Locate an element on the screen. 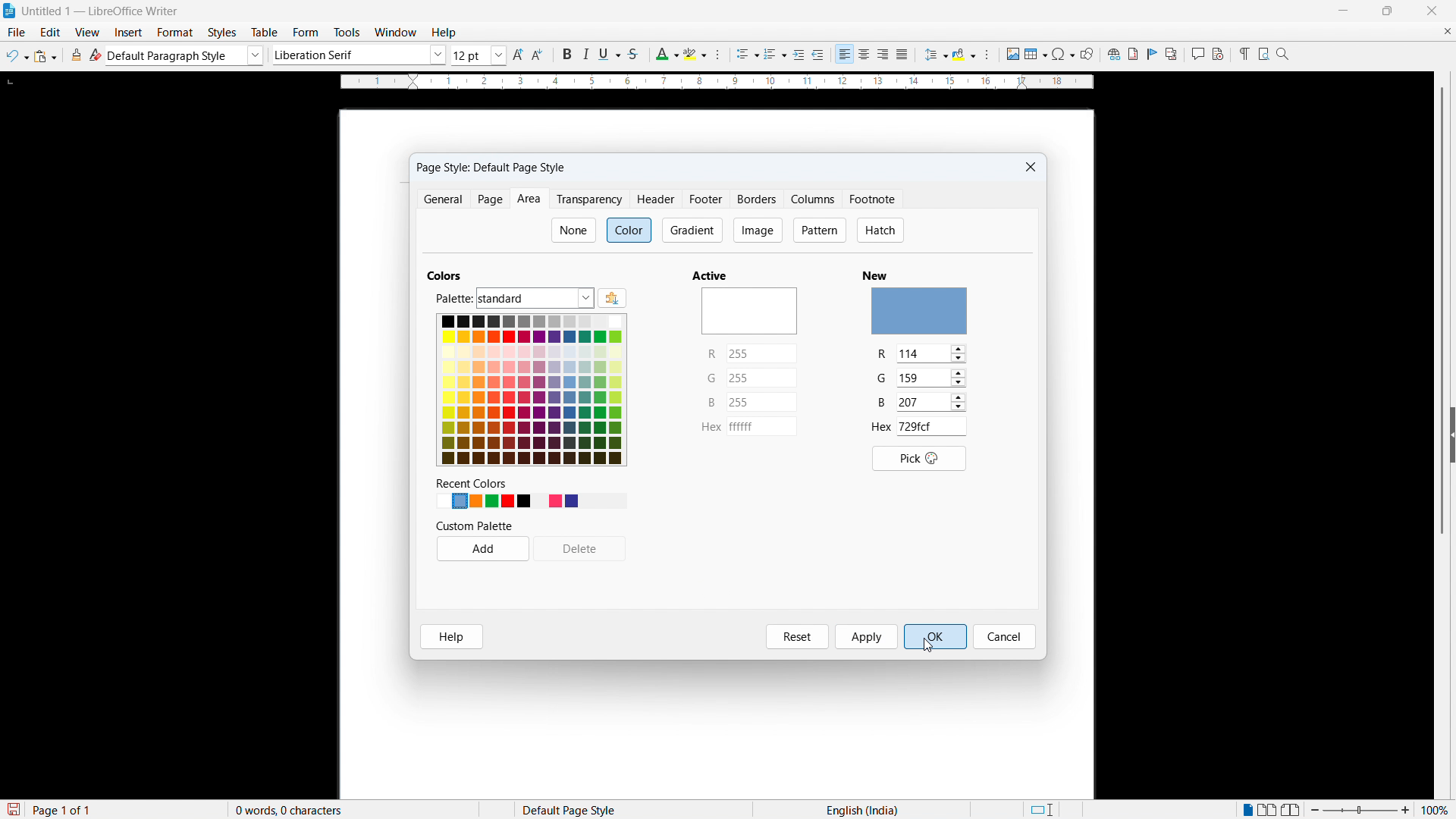 This screenshot has height=819, width=1456. Multiple page view  is located at coordinates (1269, 809).